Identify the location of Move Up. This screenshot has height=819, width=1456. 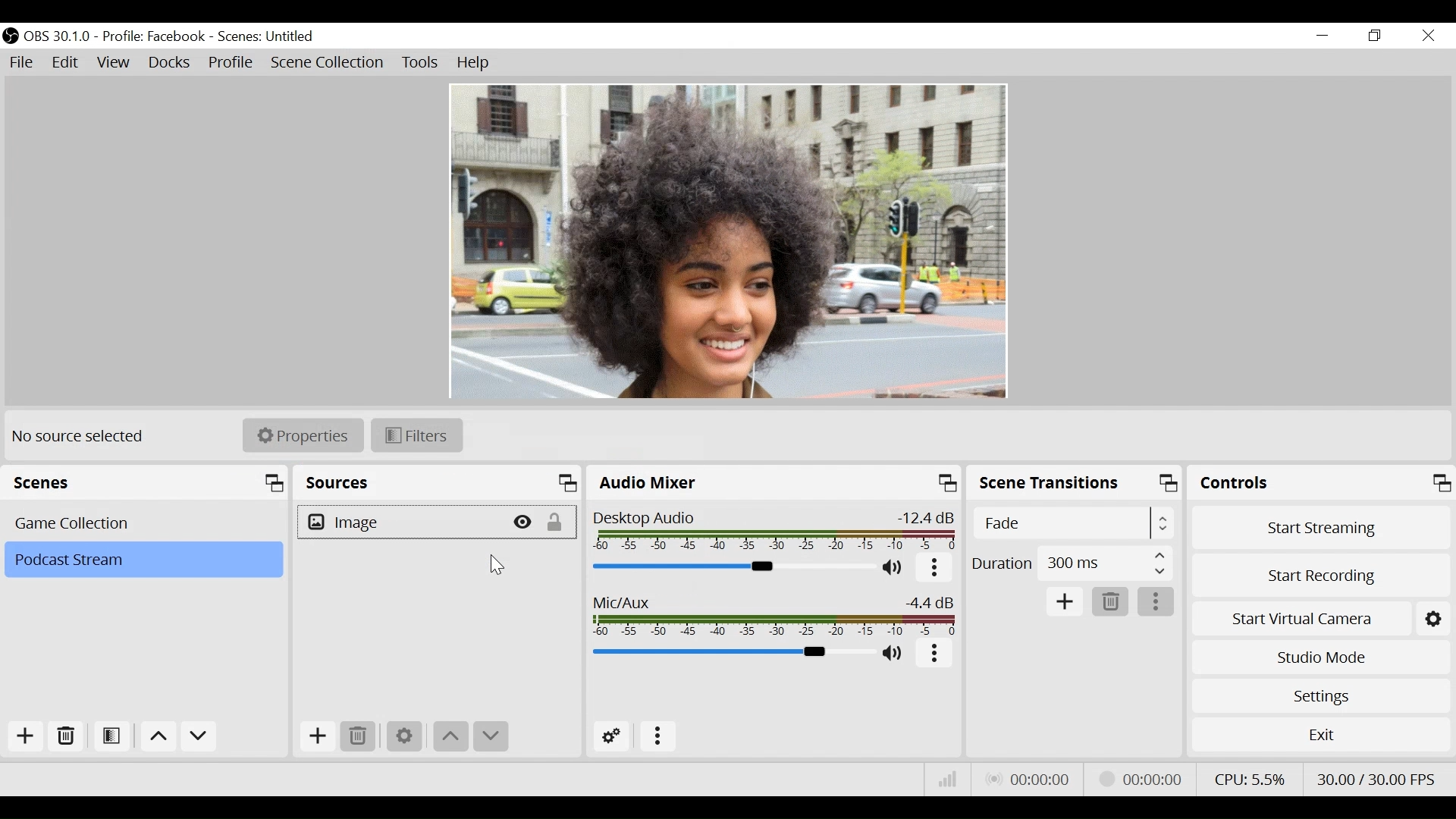
(450, 739).